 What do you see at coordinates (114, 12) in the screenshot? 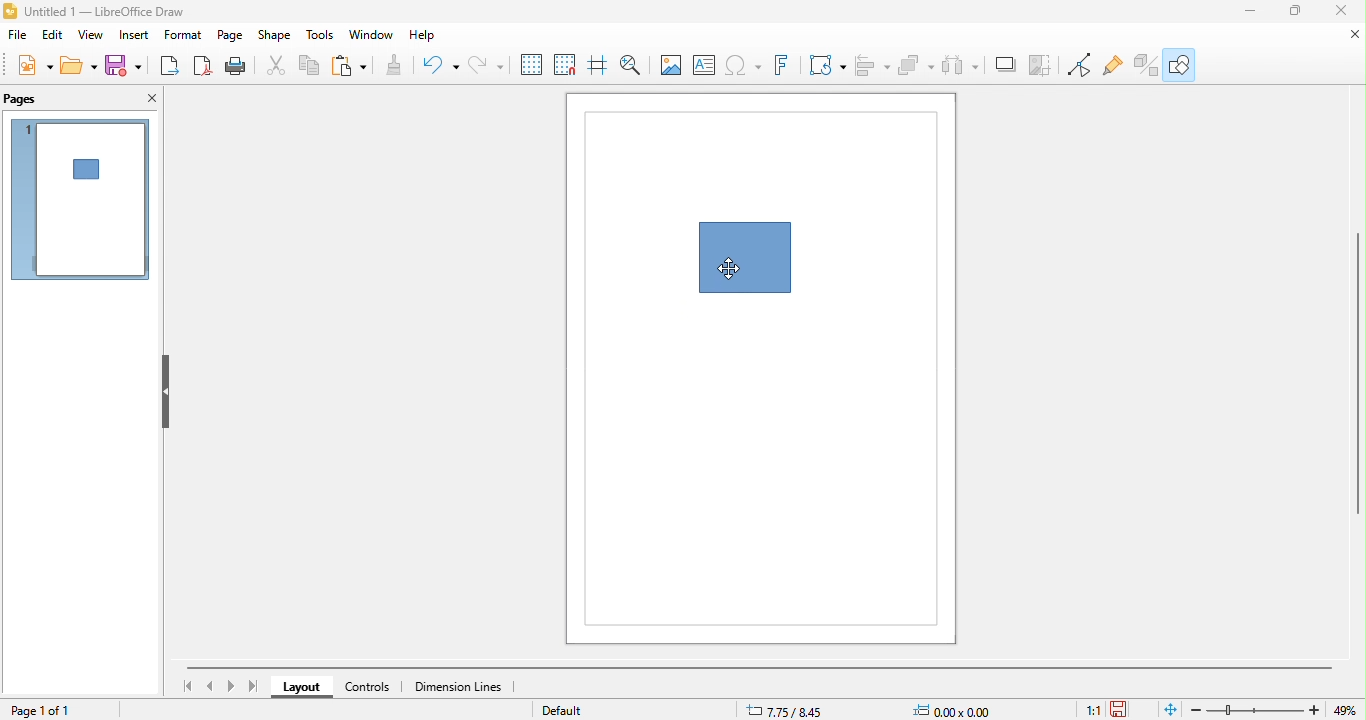
I see `untitled 1- libre office draw` at bounding box center [114, 12].